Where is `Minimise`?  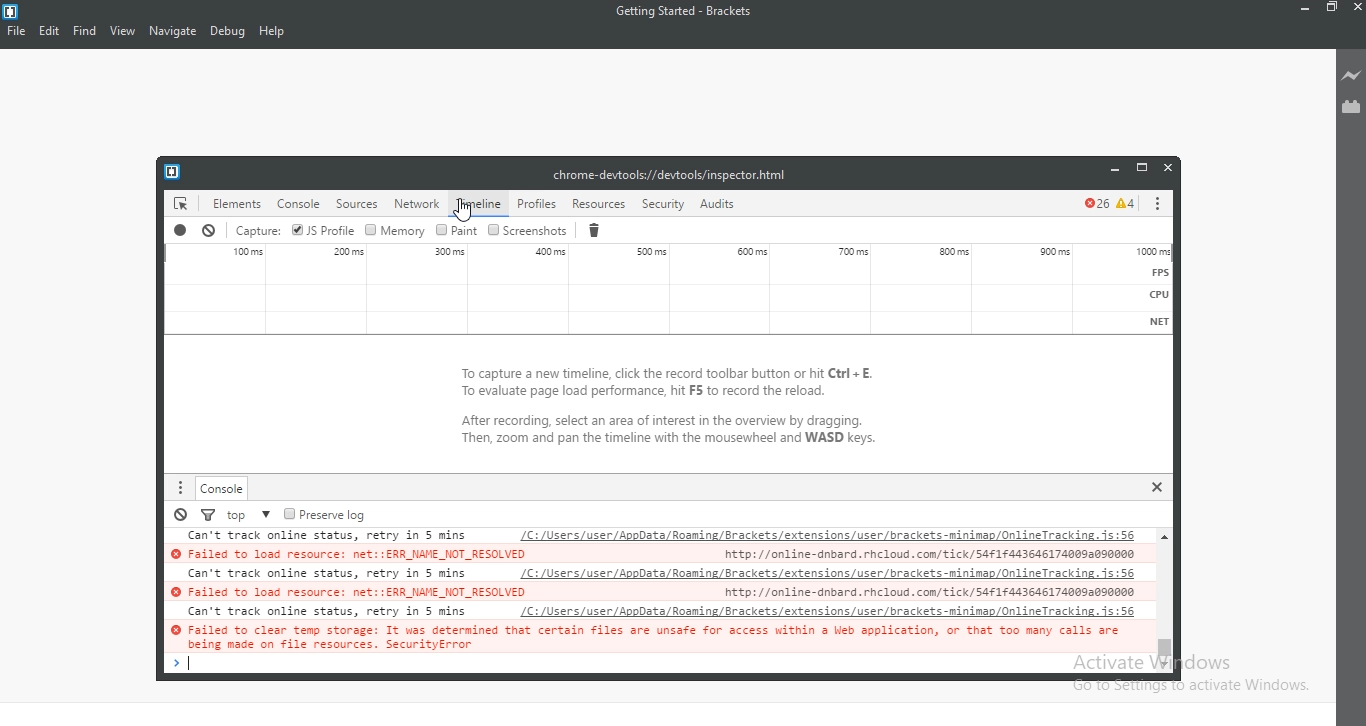
Minimise is located at coordinates (1305, 8).